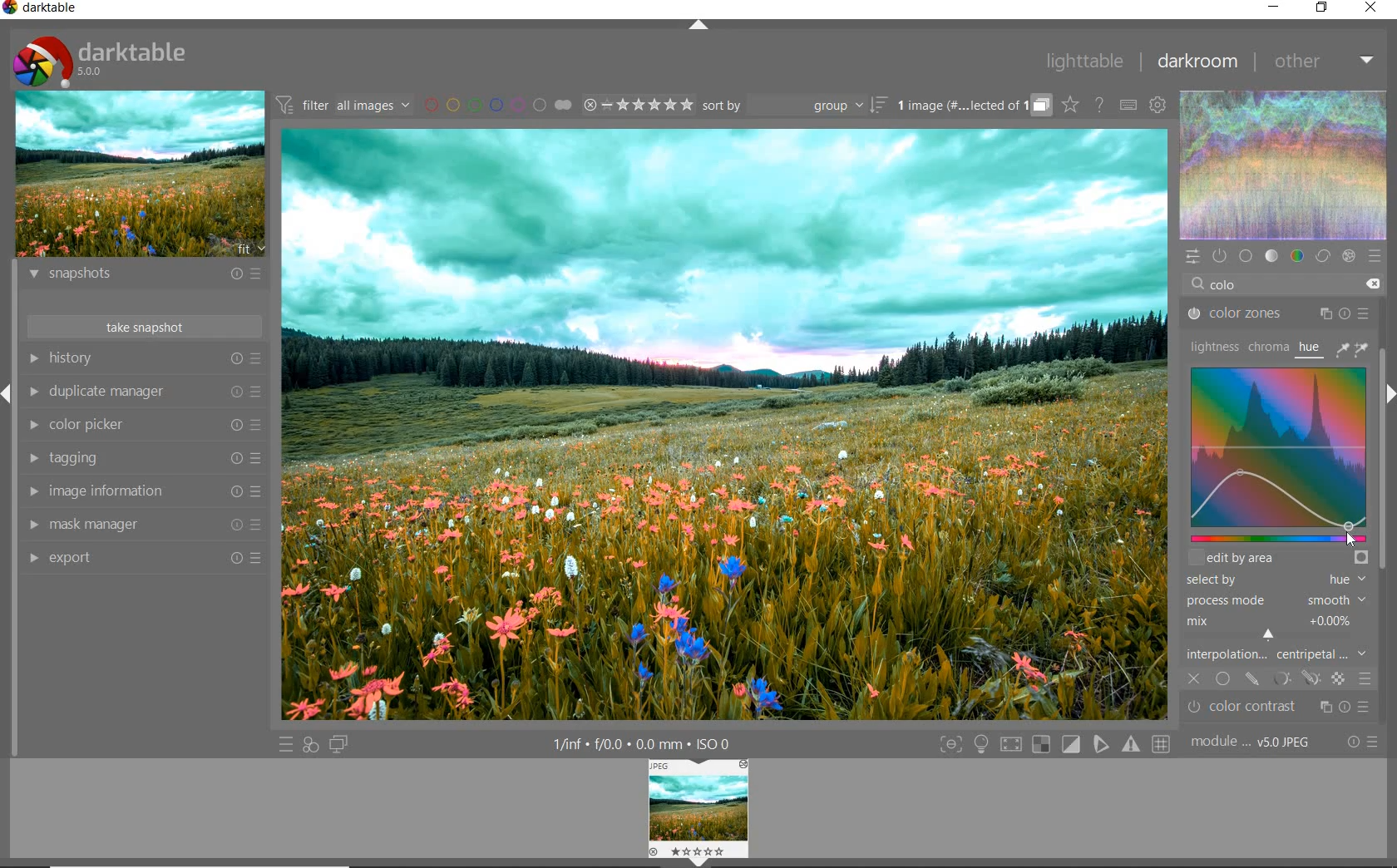 The image size is (1397, 868). Describe the element at coordinates (1272, 254) in the screenshot. I see `tone` at that location.